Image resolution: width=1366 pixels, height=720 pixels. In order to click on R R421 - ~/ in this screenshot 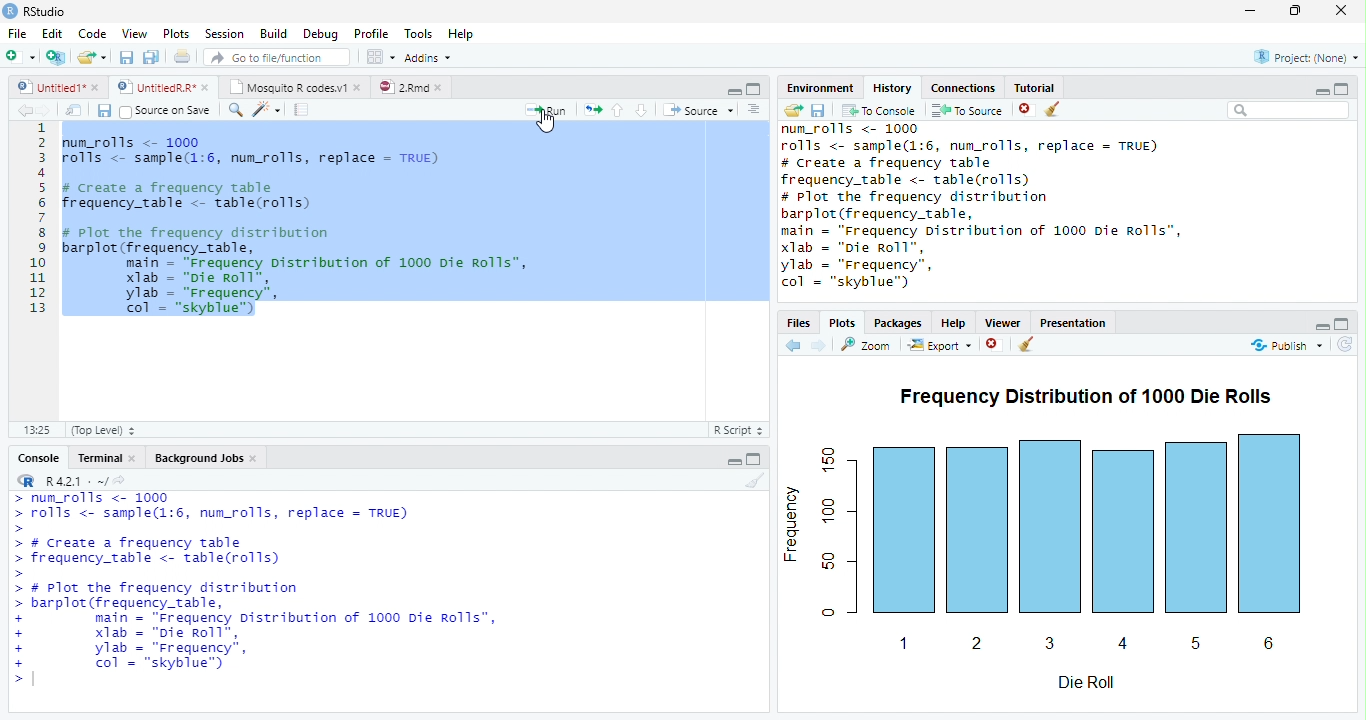, I will do `click(69, 481)`.